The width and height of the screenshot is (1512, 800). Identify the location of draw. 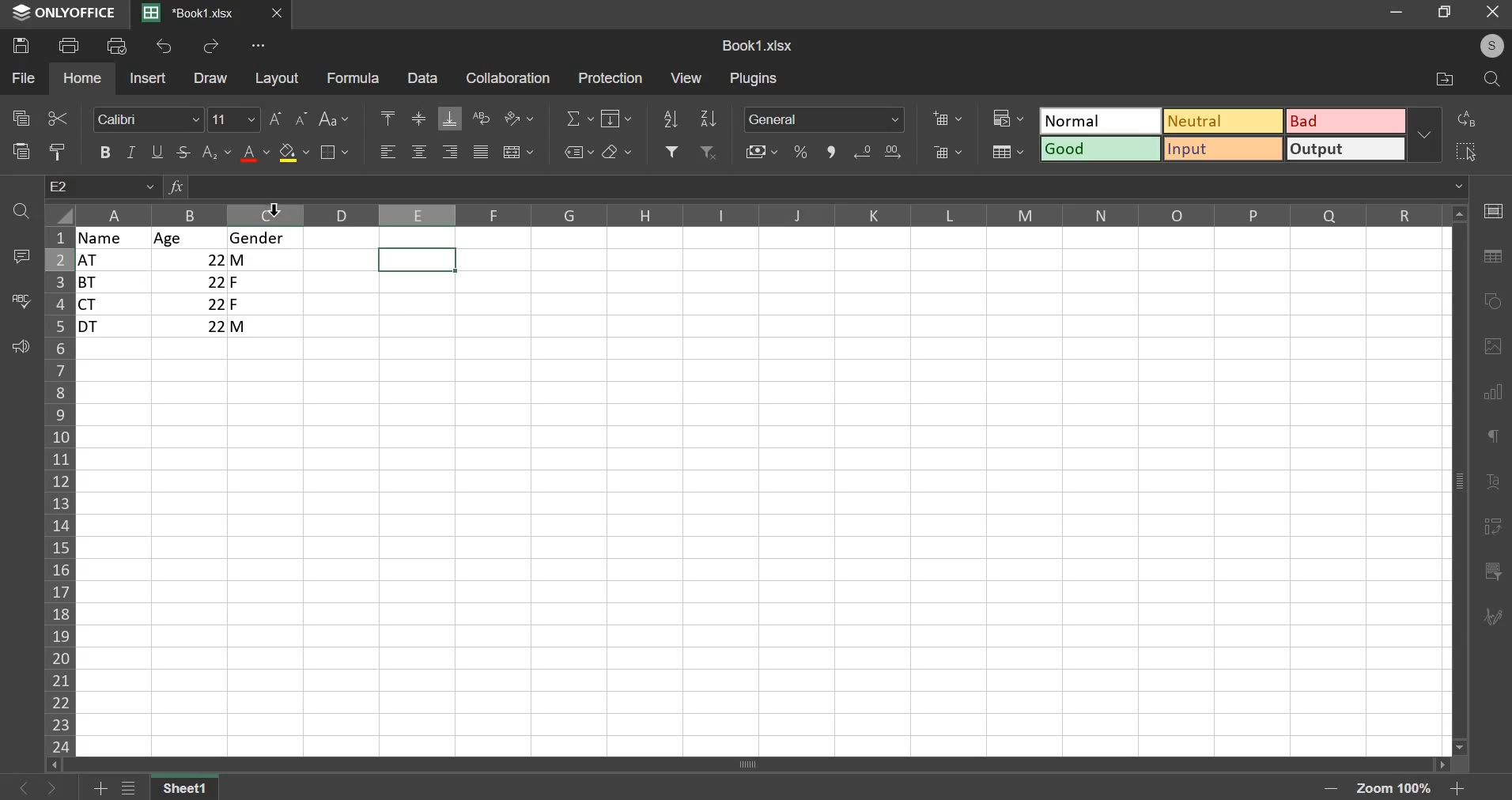
(212, 78).